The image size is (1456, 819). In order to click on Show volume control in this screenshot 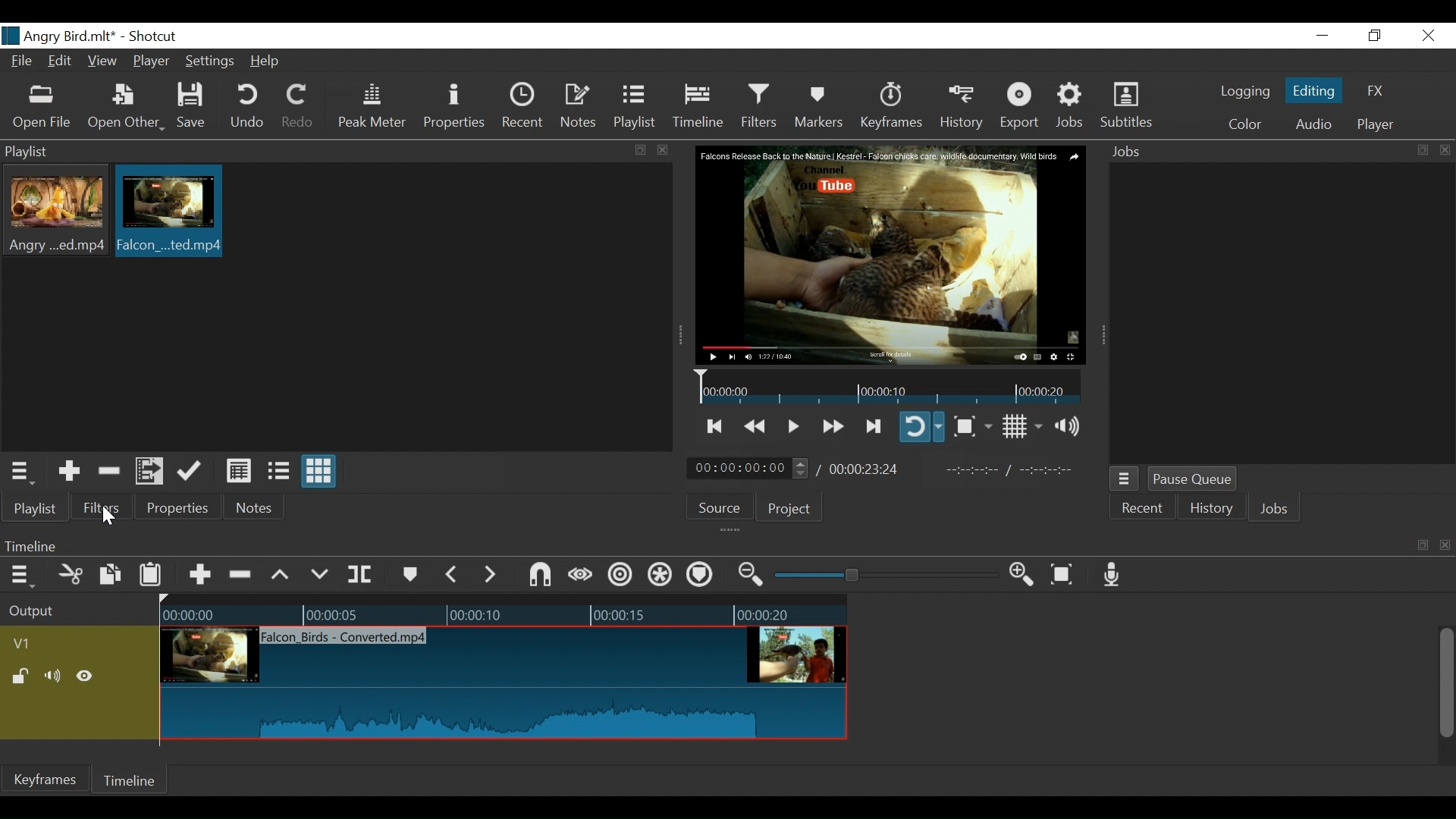, I will do `click(1073, 426)`.